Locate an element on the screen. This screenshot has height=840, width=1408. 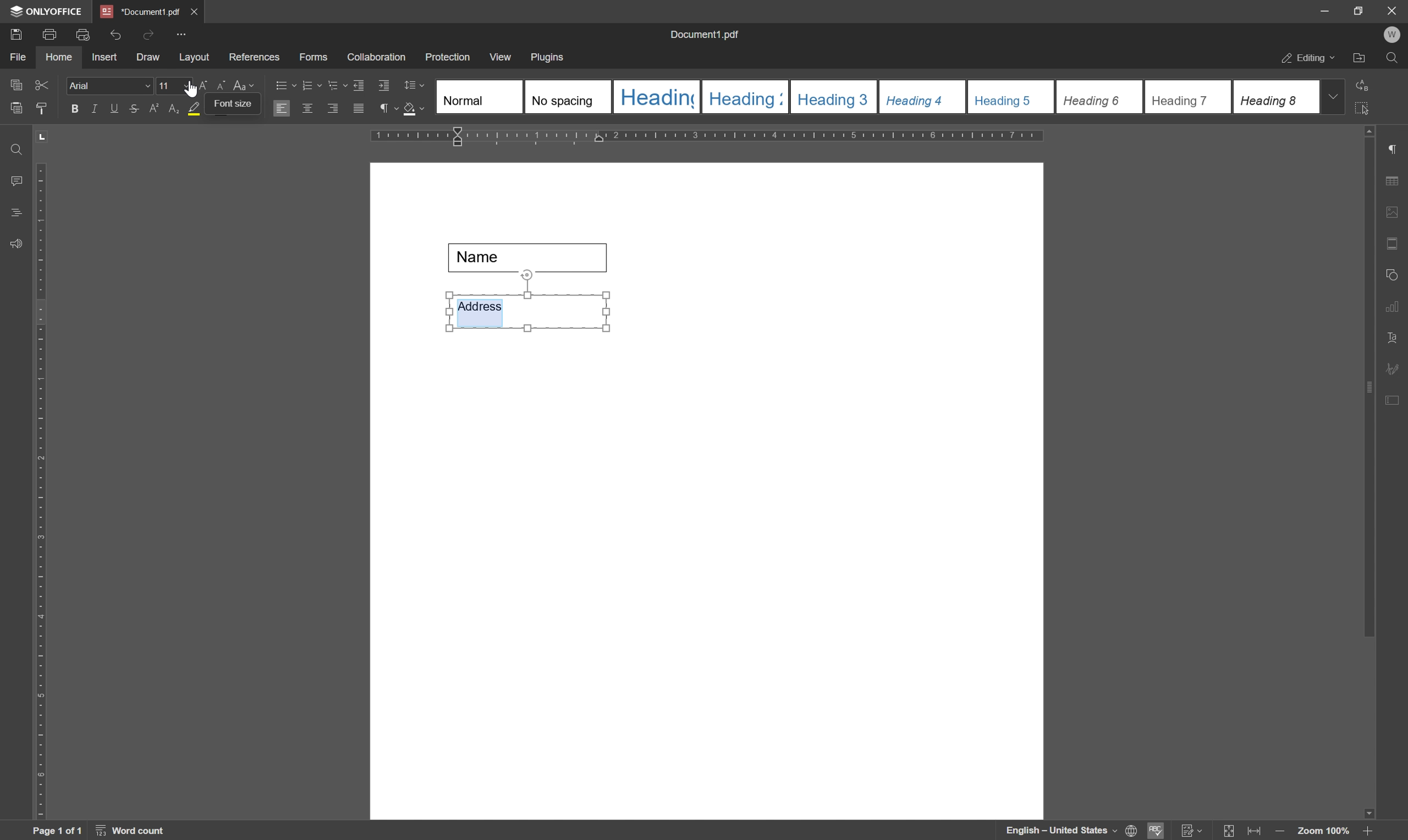
minimize is located at coordinates (1319, 10).